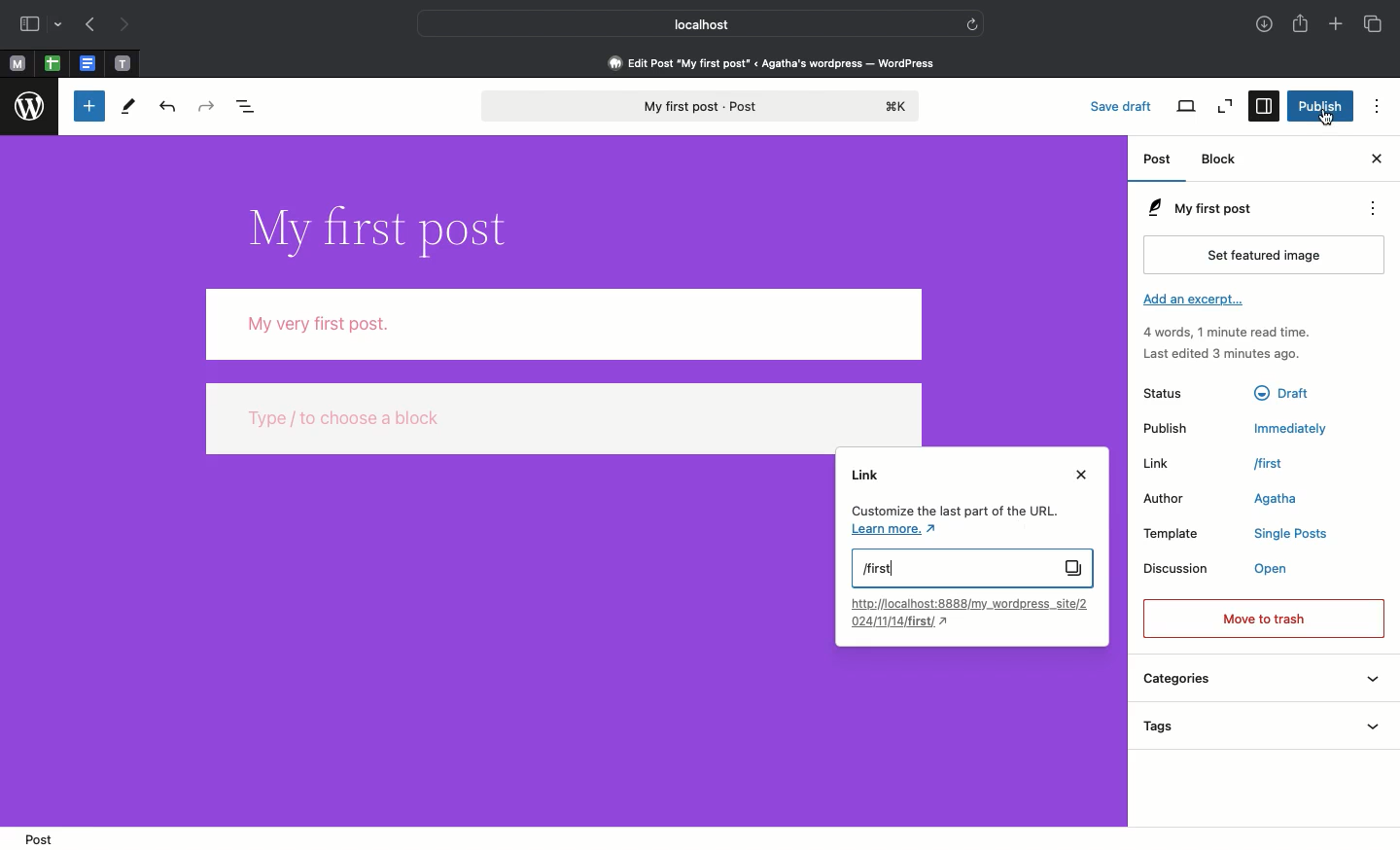  I want to click on Redo, so click(204, 106).